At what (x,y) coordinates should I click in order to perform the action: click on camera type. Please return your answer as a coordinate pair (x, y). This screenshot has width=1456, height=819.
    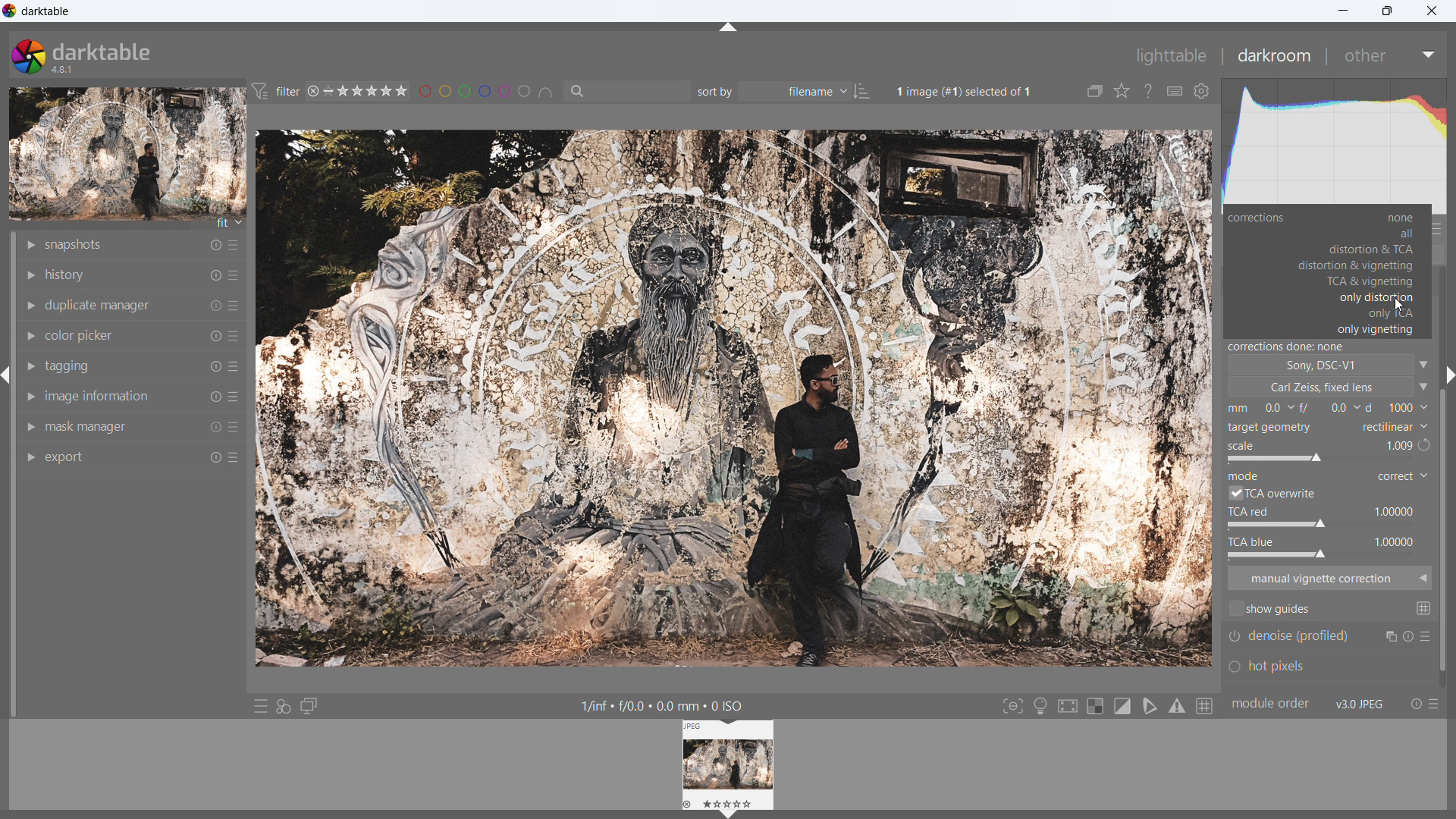
    Looking at the image, I should click on (1330, 365).